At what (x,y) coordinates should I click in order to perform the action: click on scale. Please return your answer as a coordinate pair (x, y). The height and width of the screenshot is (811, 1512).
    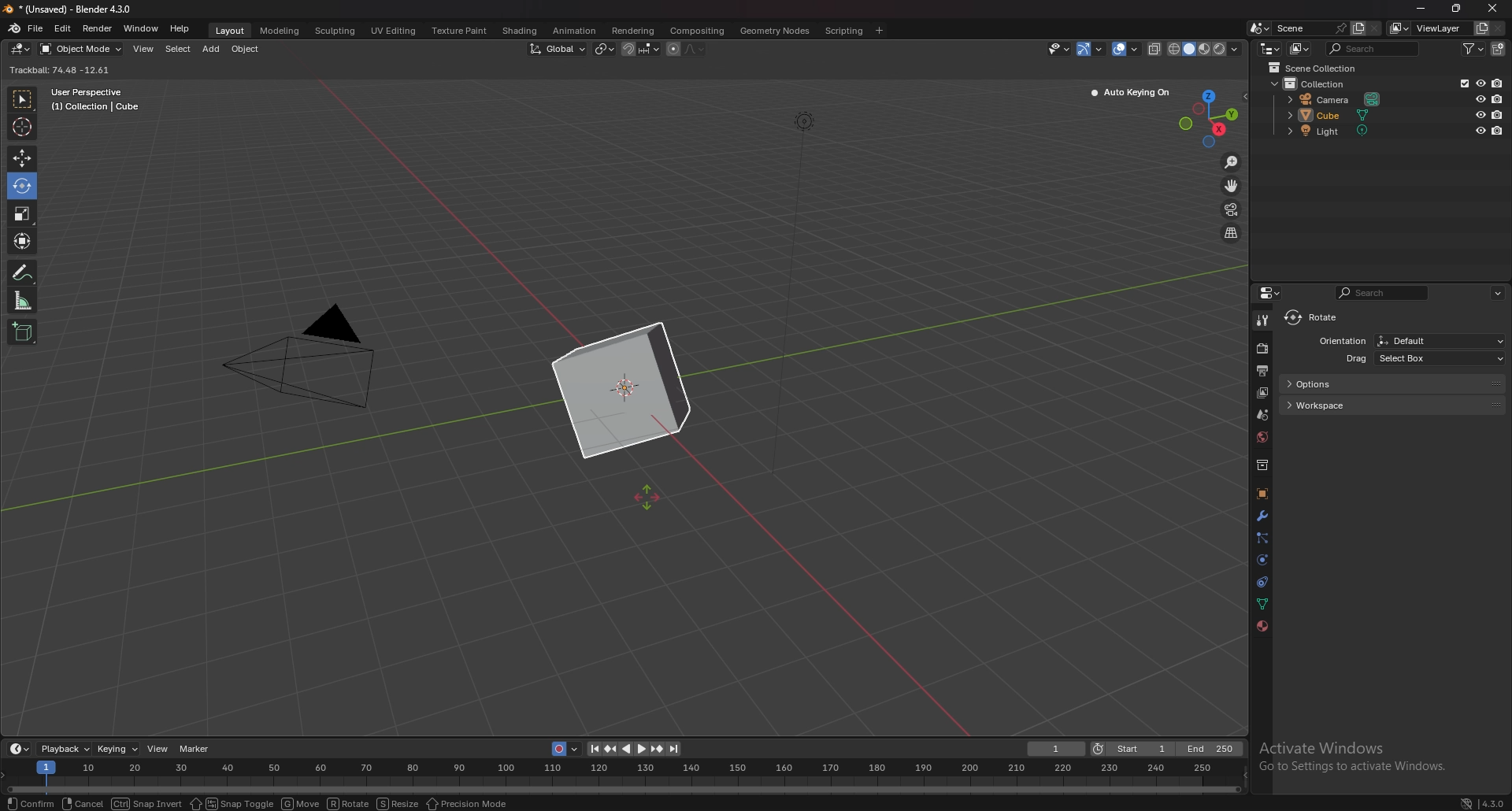
    Looking at the image, I should click on (21, 214).